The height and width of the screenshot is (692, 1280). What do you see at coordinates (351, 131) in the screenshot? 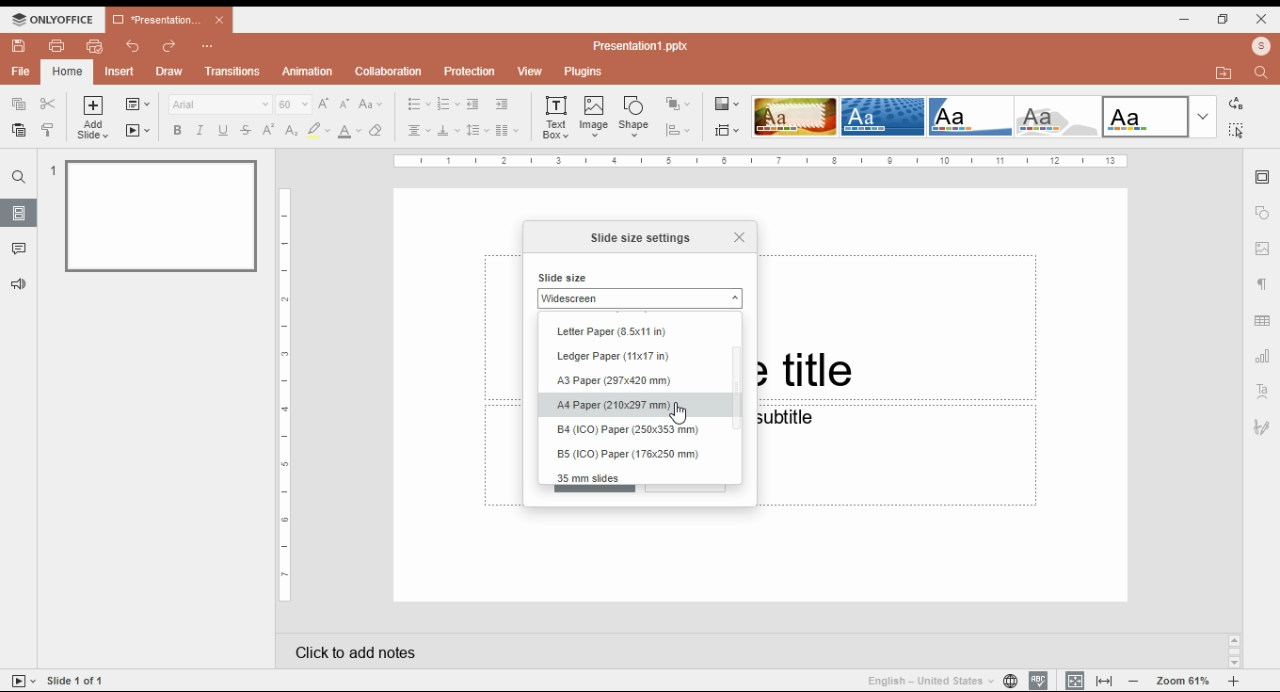
I see `font color` at bounding box center [351, 131].